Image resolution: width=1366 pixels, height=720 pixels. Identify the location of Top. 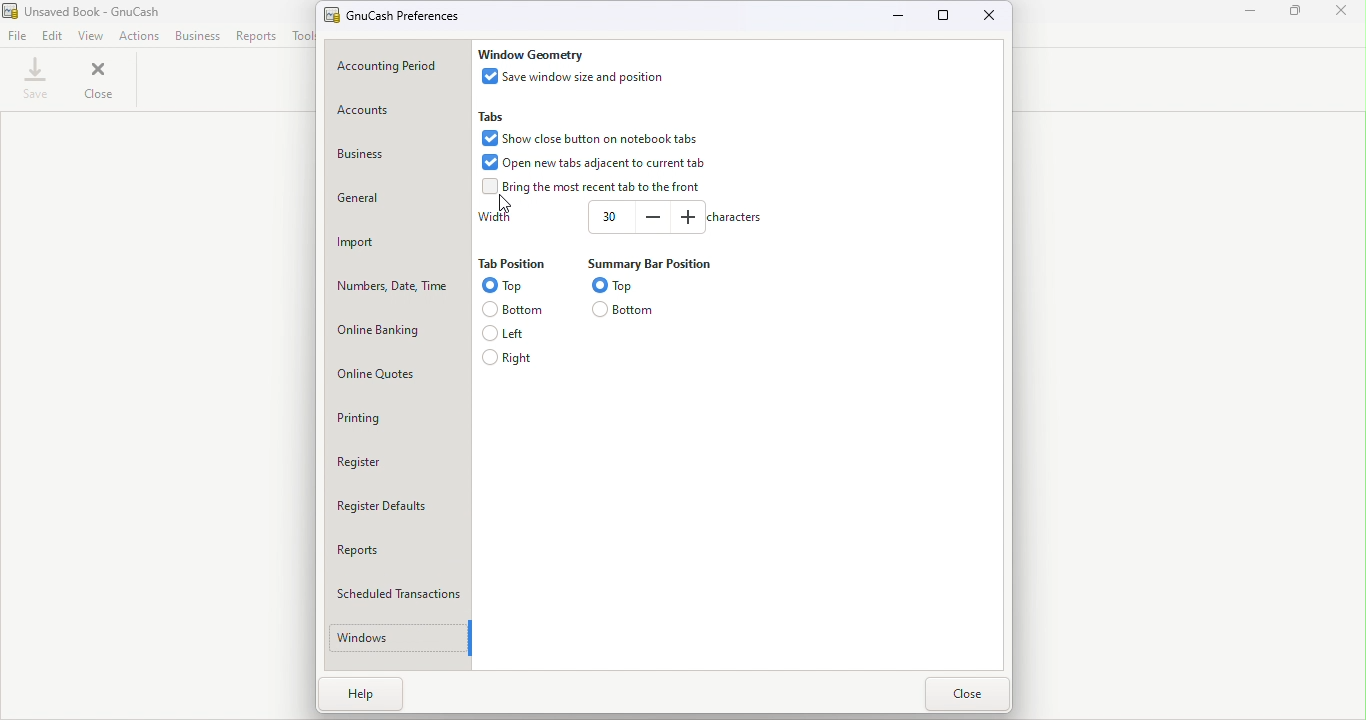
(502, 286).